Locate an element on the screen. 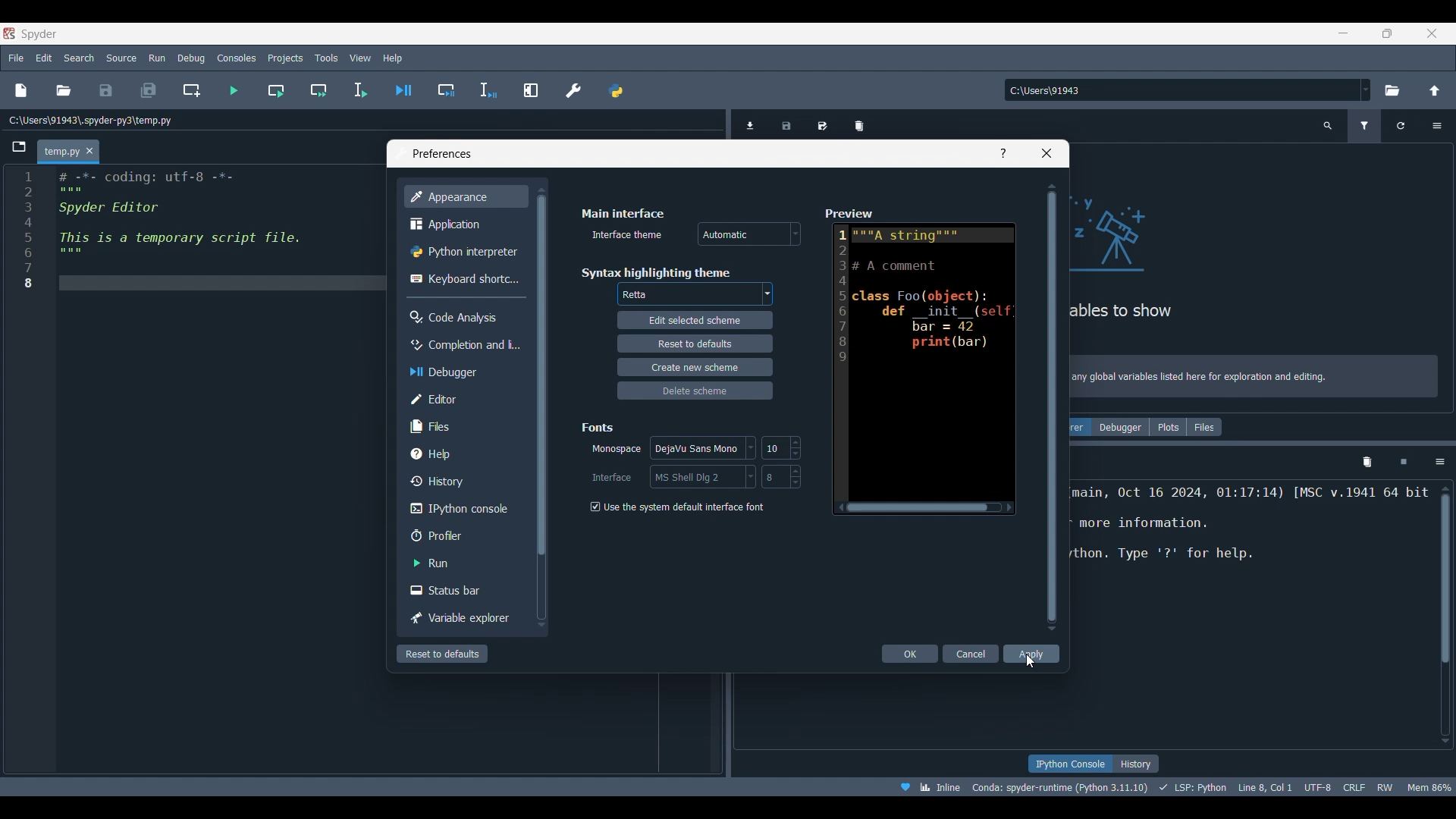 The image size is (1456, 819). Keyboard shortcut is located at coordinates (464, 278).